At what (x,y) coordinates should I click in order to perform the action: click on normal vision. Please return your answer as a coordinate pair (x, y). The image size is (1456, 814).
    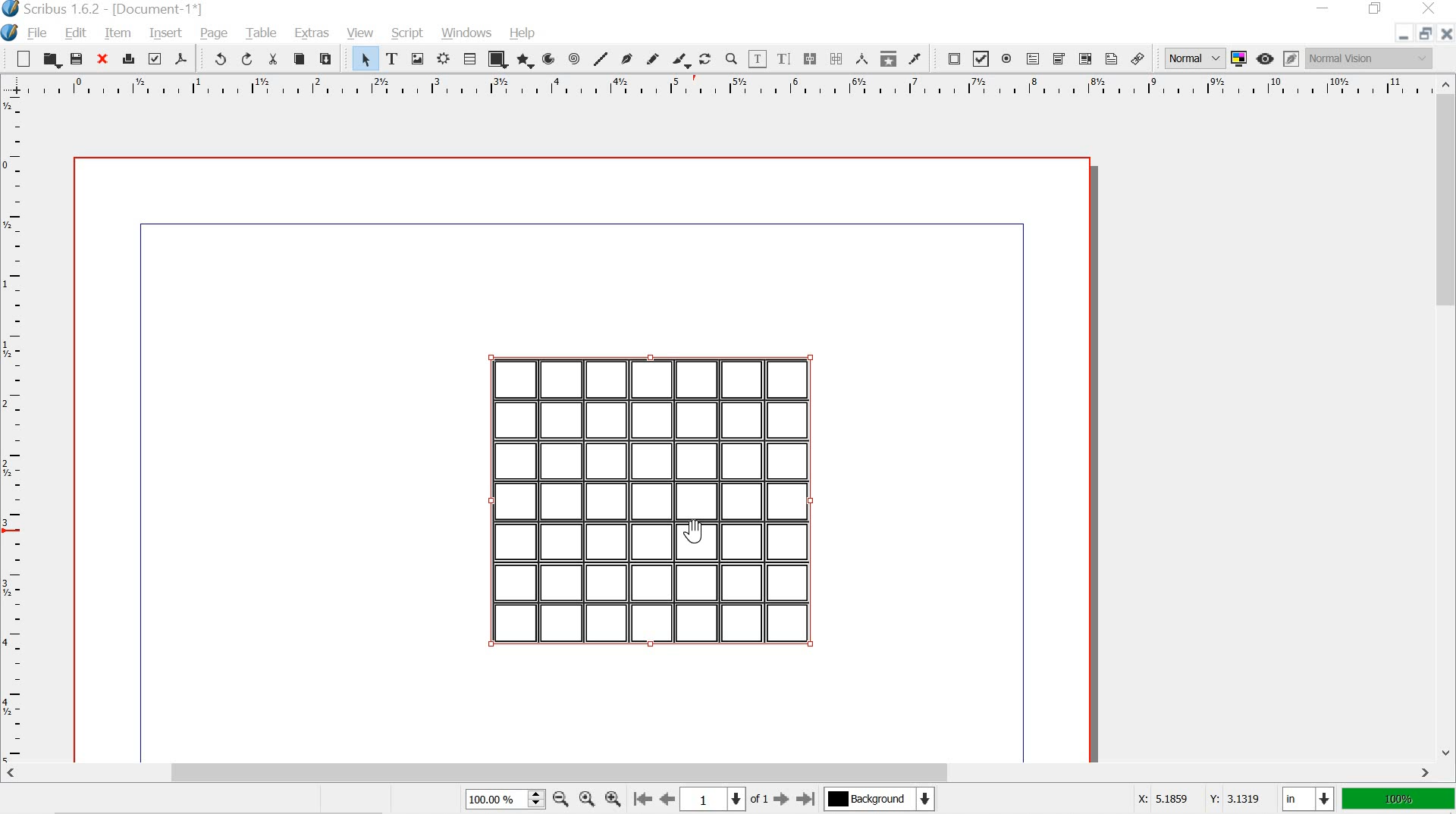
    Looking at the image, I should click on (1370, 58).